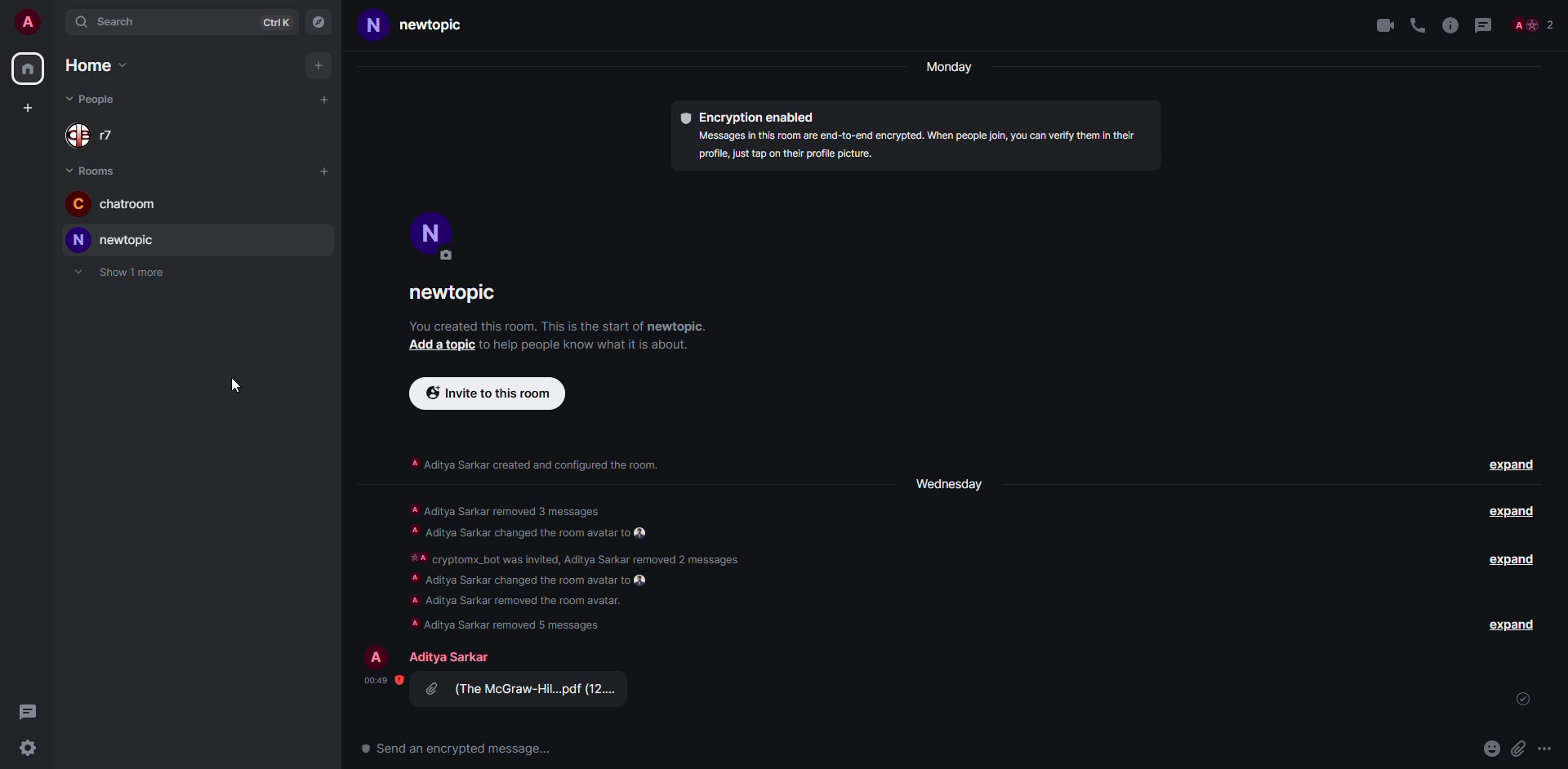  I want to click on send an encrypted message, so click(461, 750).